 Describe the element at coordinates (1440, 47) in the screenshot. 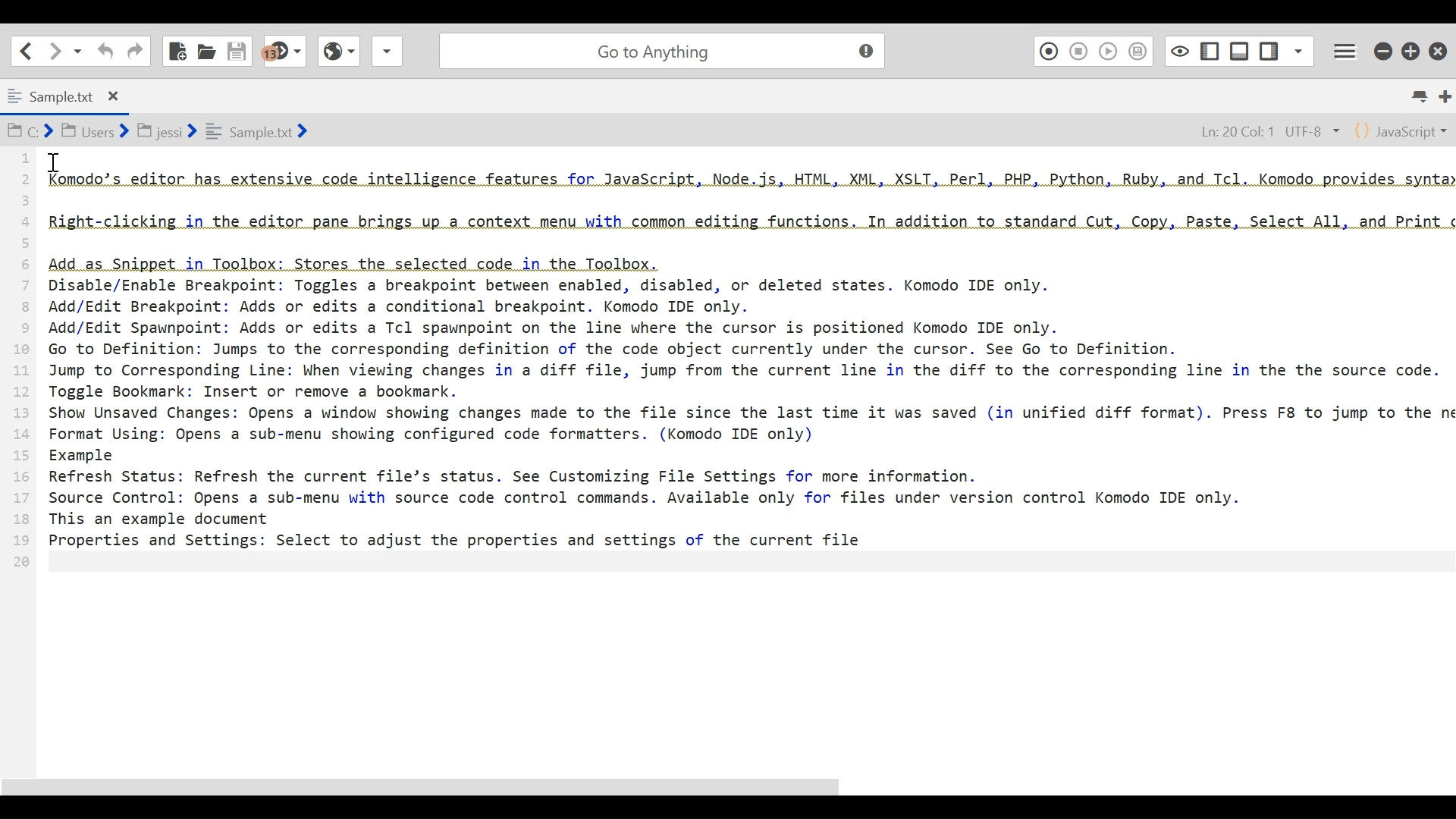

I see `Close` at that location.